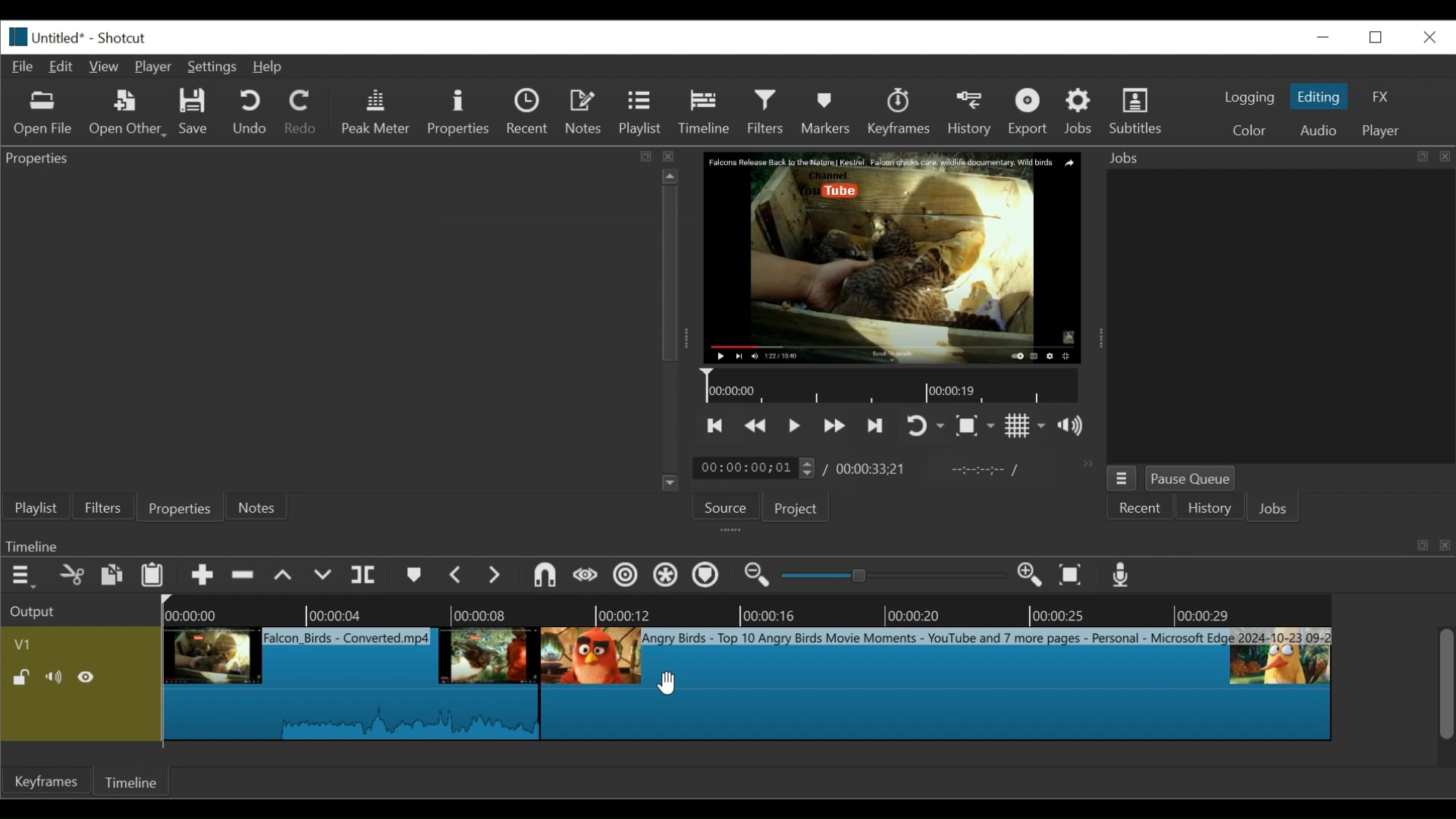  I want to click on Pause Queue, so click(1193, 479).